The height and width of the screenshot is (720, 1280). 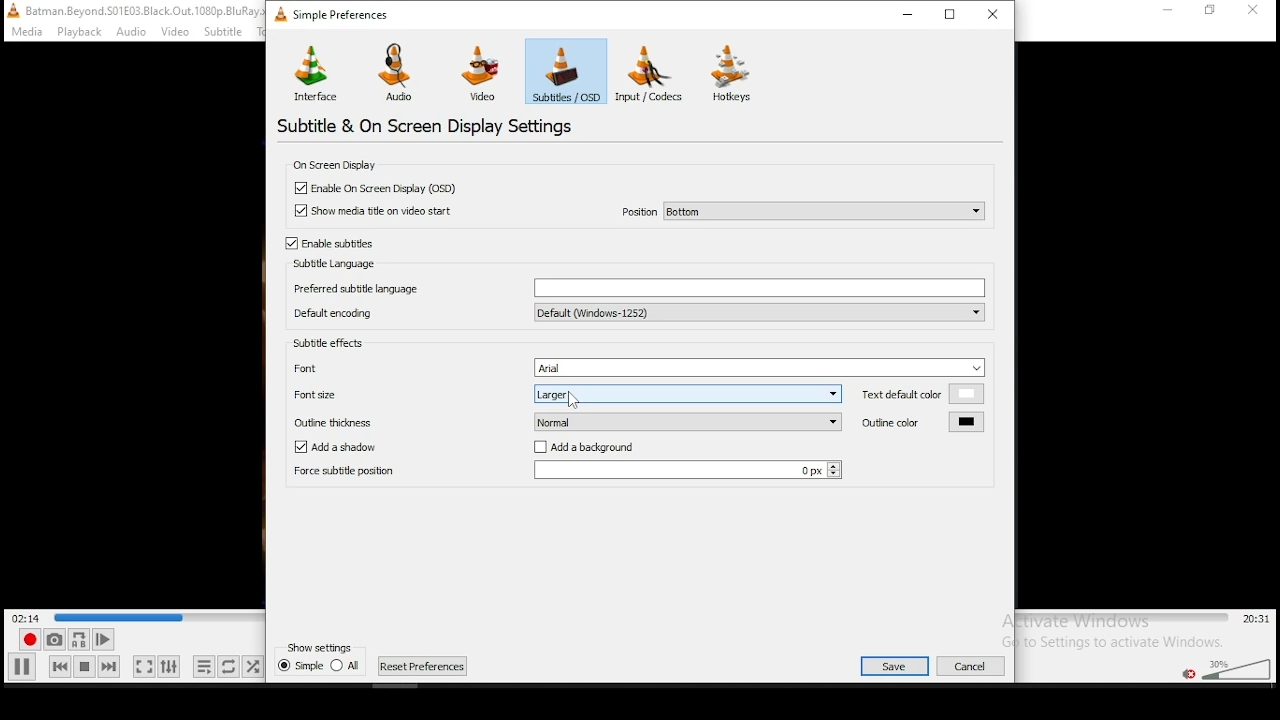 I want to click on subtitle and on screen display settings, so click(x=429, y=125).